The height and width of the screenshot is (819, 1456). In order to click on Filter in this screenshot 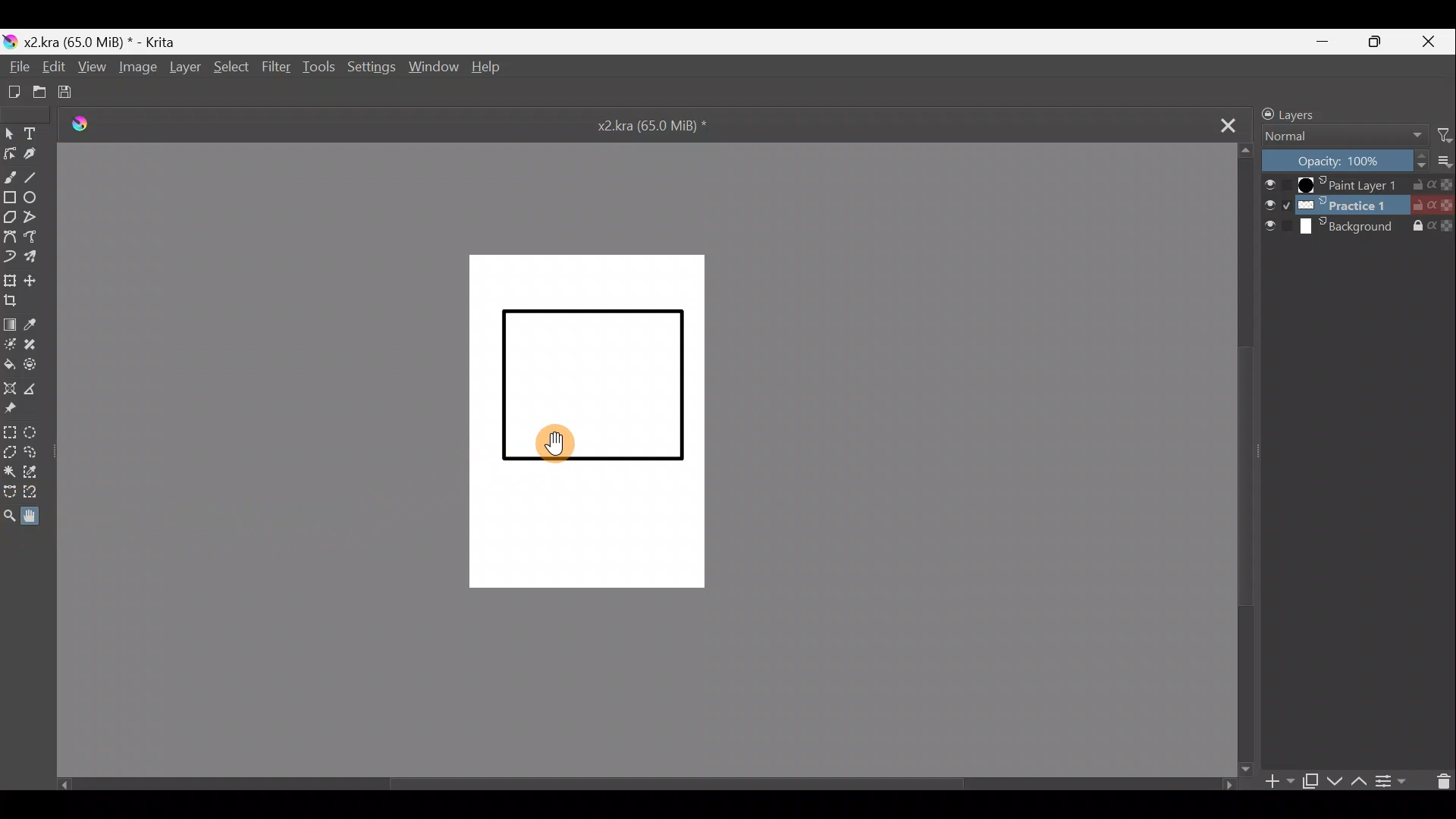, I will do `click(1439, 138)`.